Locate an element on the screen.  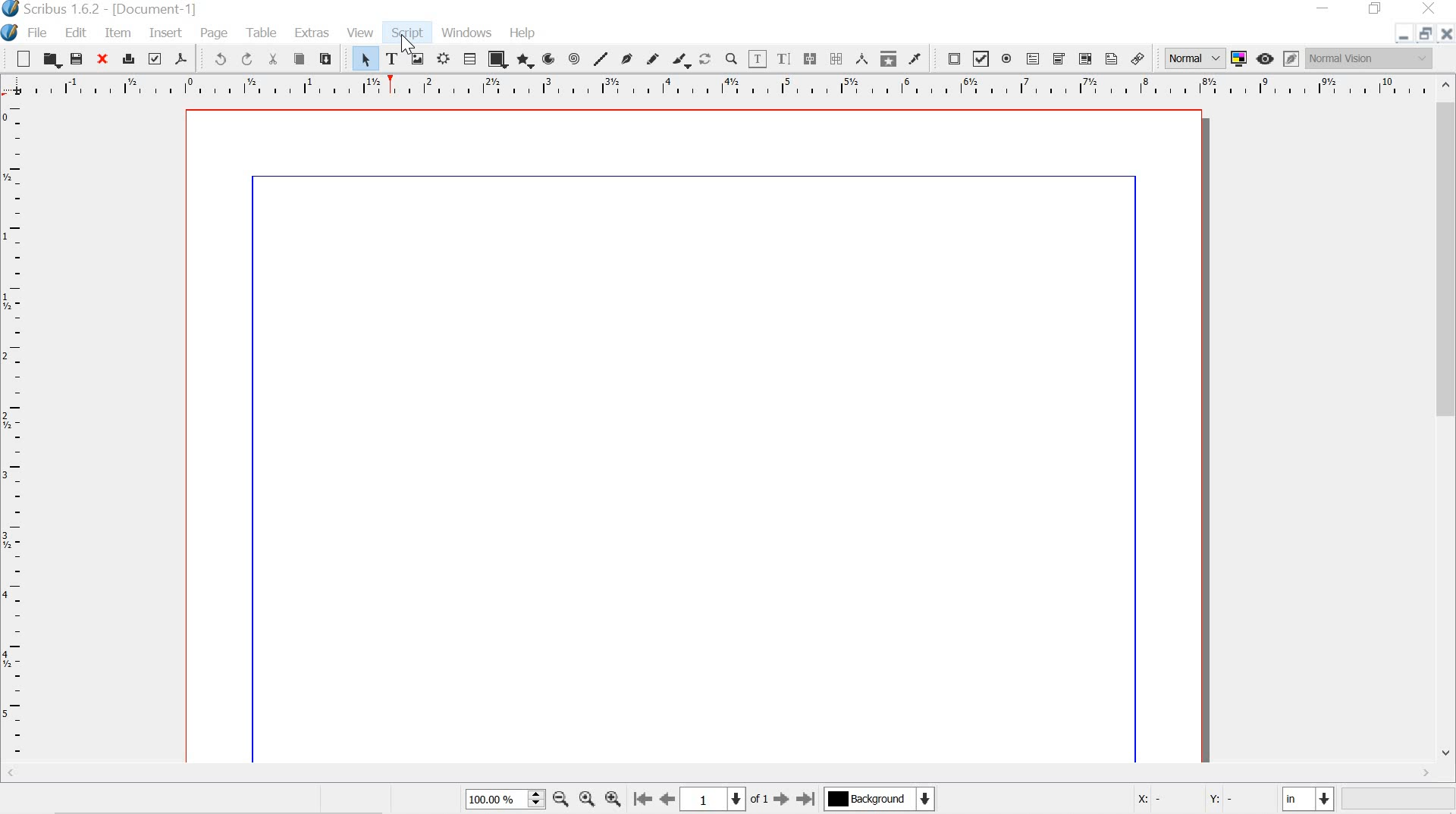
select item is located at coordinates (363, 58).